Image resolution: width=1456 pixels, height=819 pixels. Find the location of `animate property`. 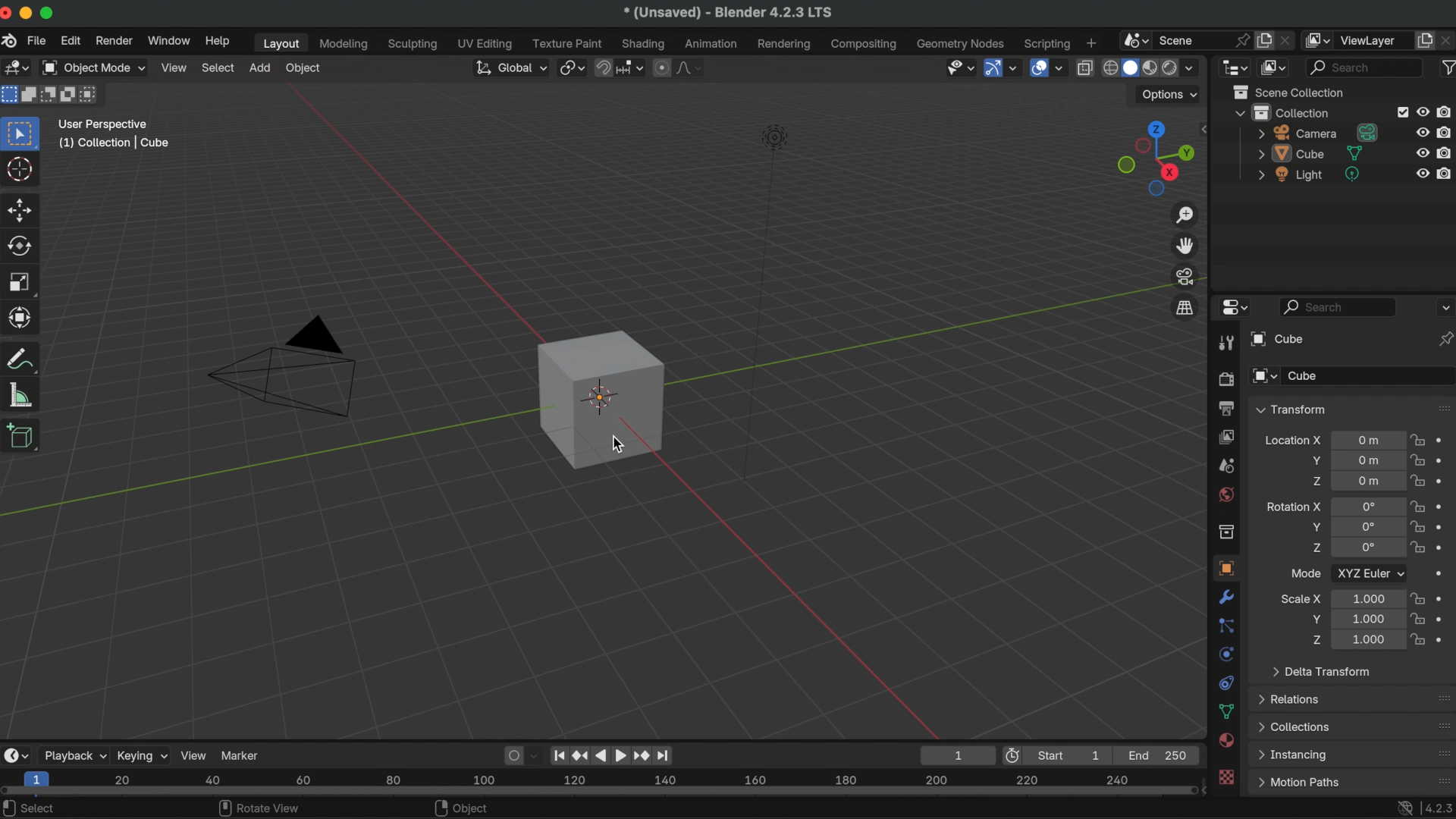

animate property is located at coordinates (1444, 481).